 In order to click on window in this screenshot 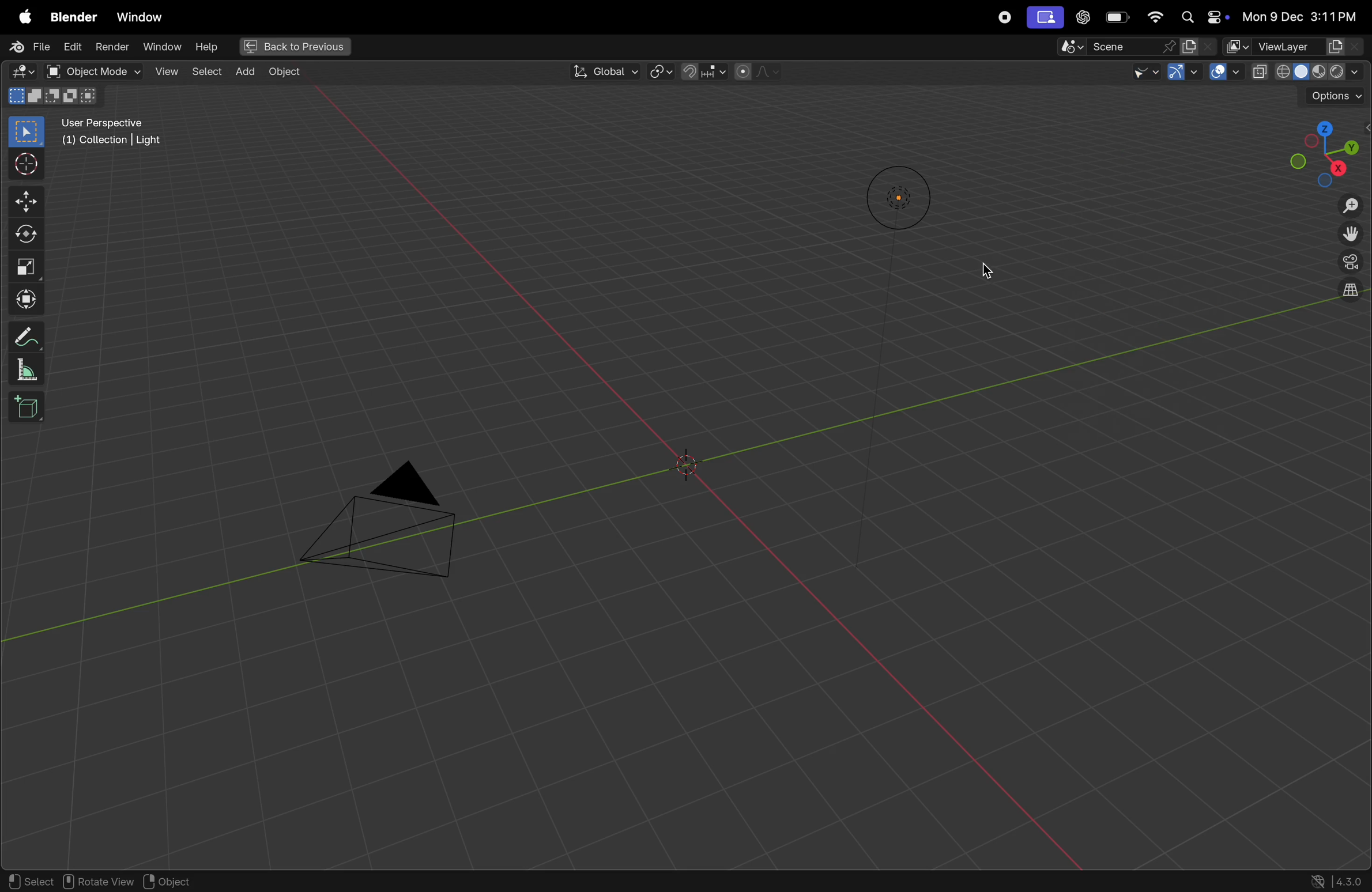, I will do `click(161, 48)`.